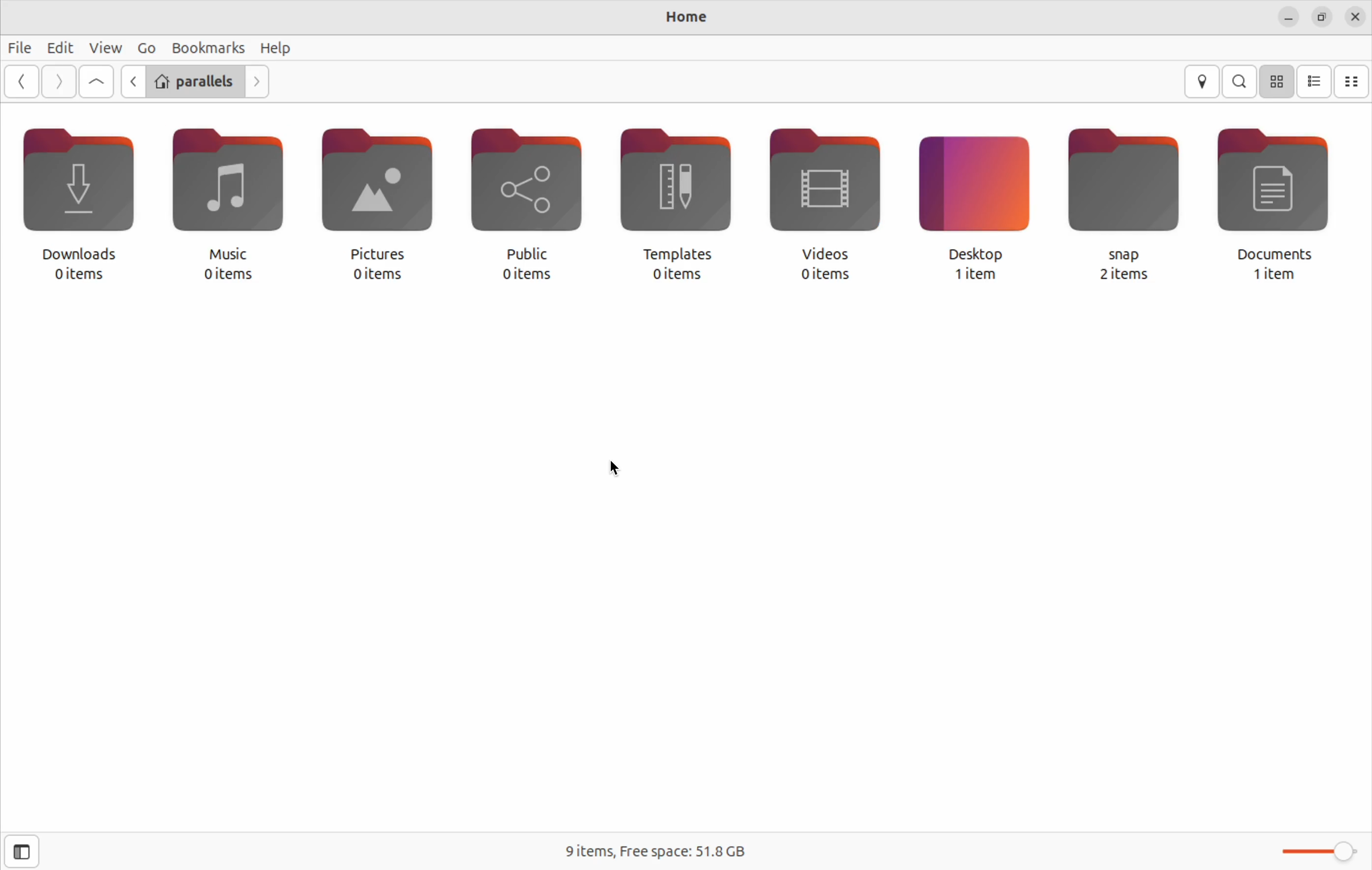  Describe the element at coordinates (144, 47) in the screenshot. I see `go` at that location.